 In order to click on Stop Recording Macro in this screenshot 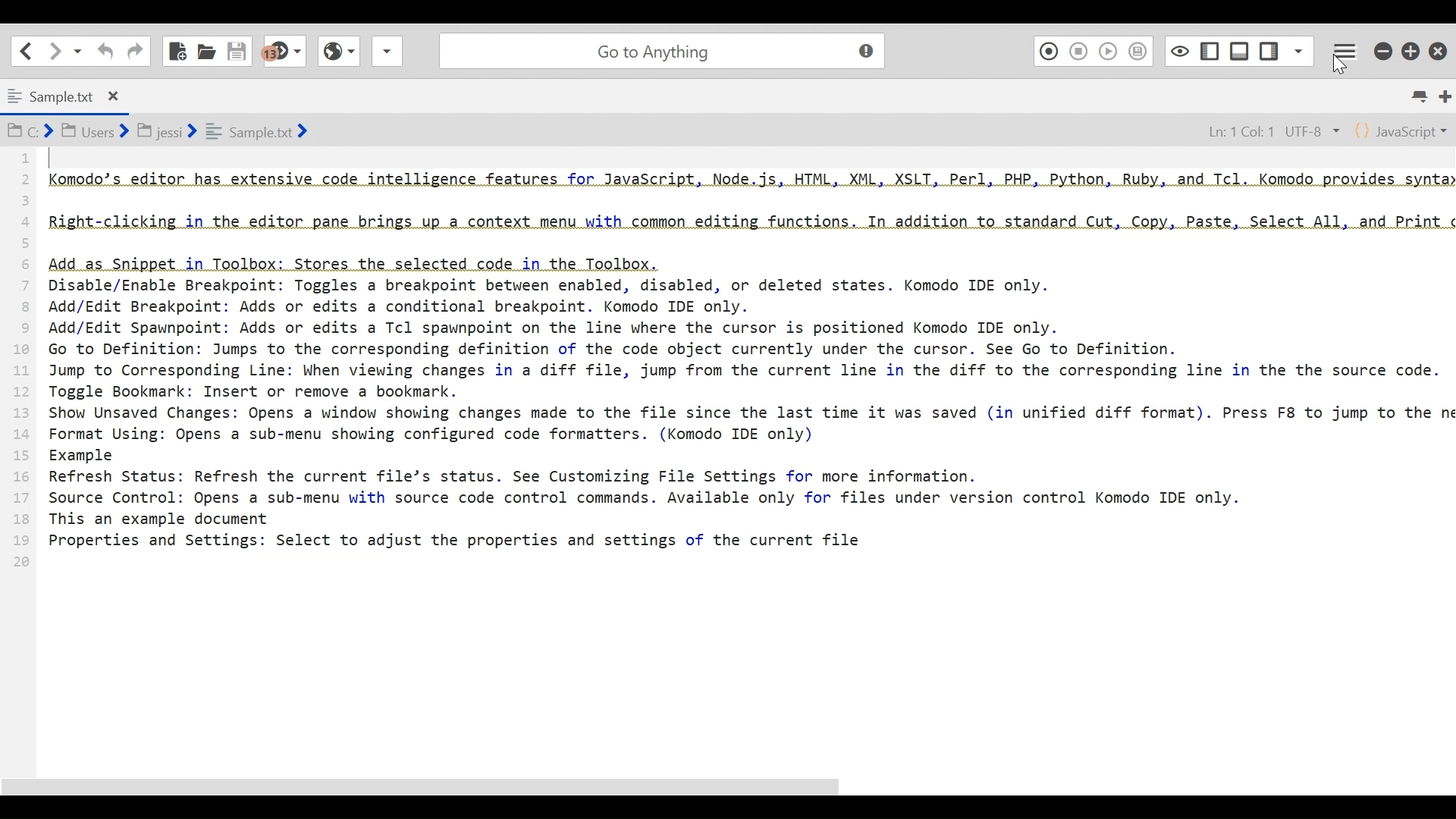, I will do `click(1079, 51)`.